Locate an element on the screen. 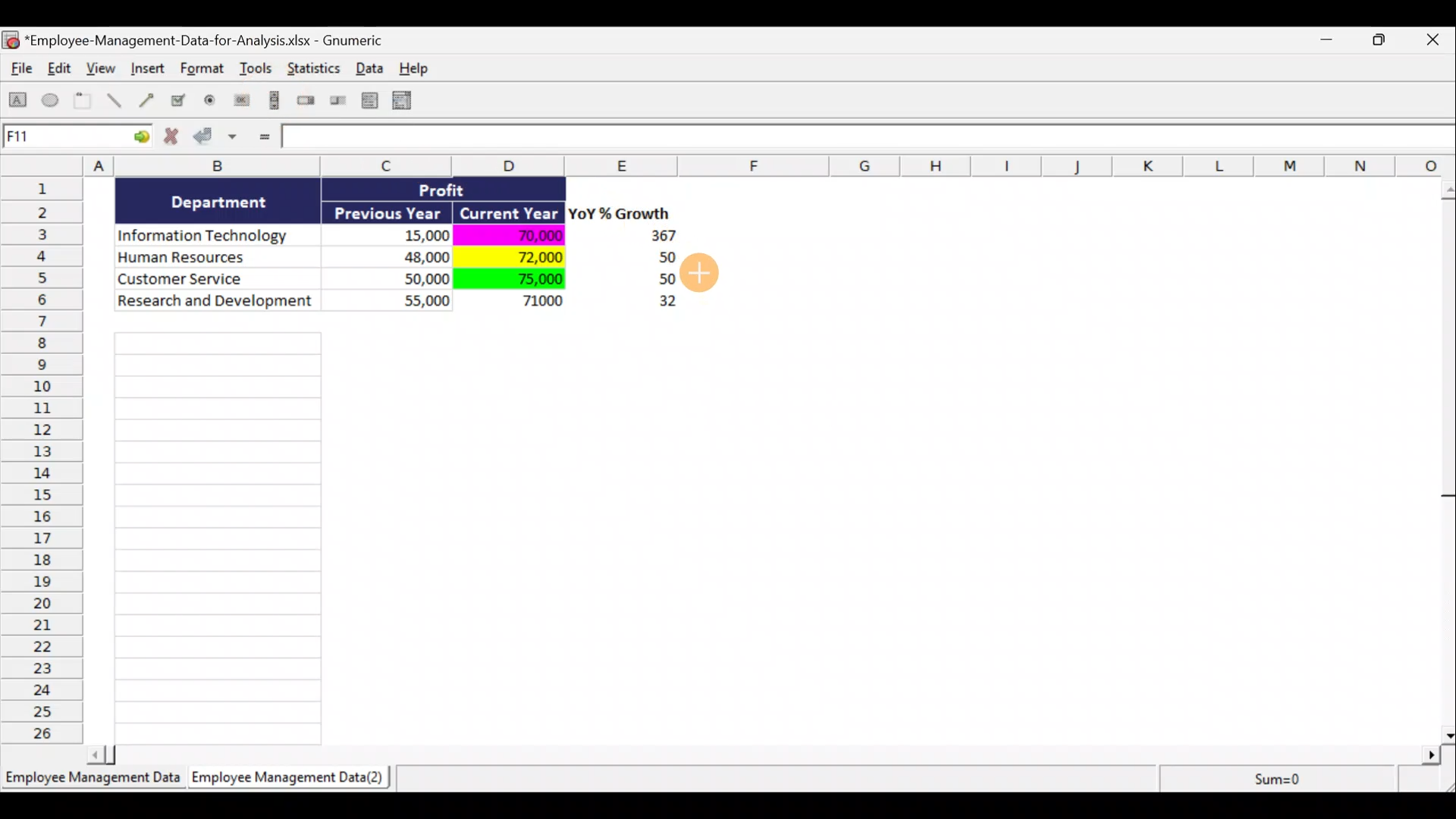 The image size is (1456, 819). Statistics is located at coordinates (315, 73).